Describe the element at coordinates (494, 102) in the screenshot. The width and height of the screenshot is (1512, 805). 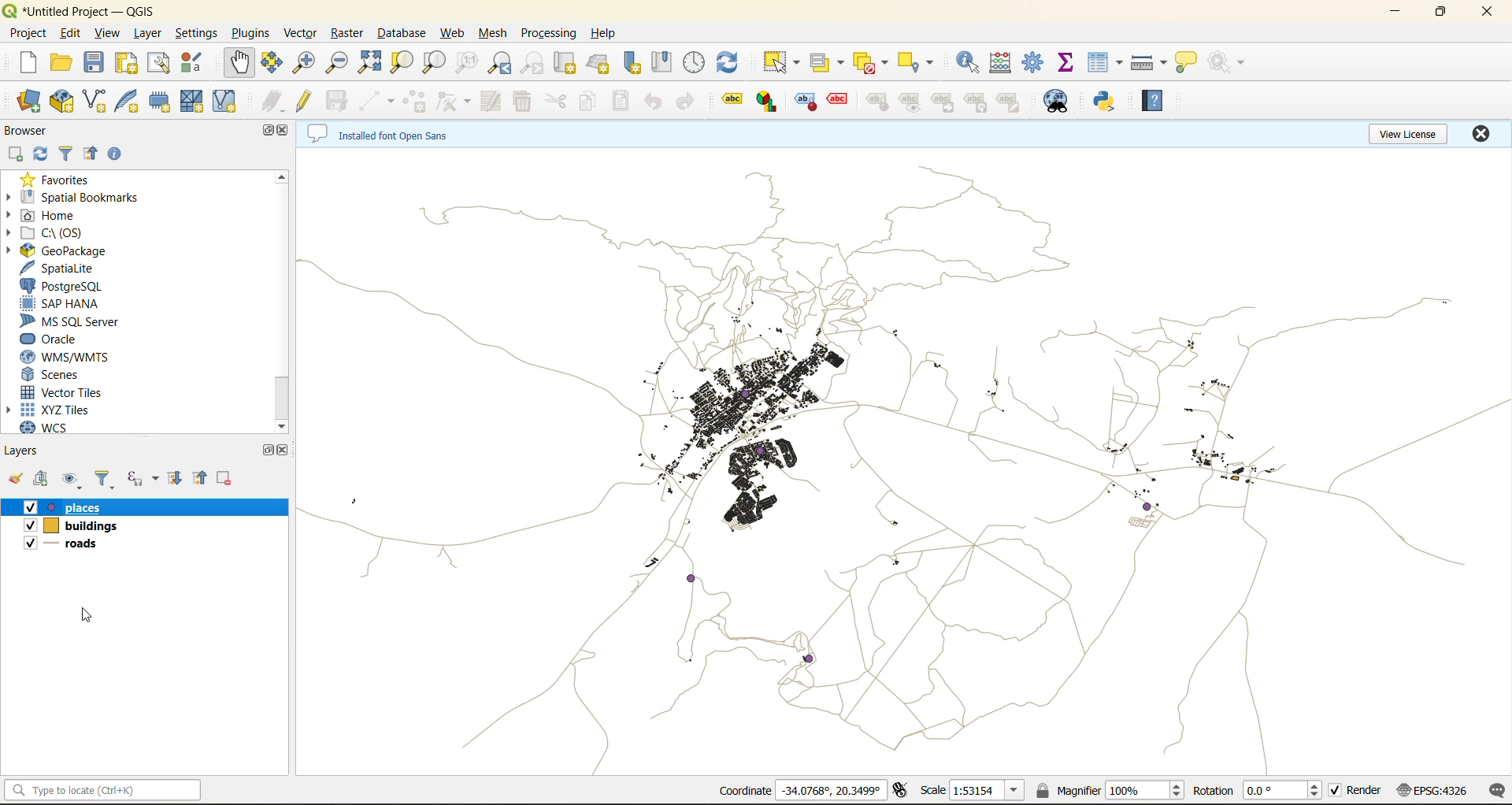
I see `modify` at that location.